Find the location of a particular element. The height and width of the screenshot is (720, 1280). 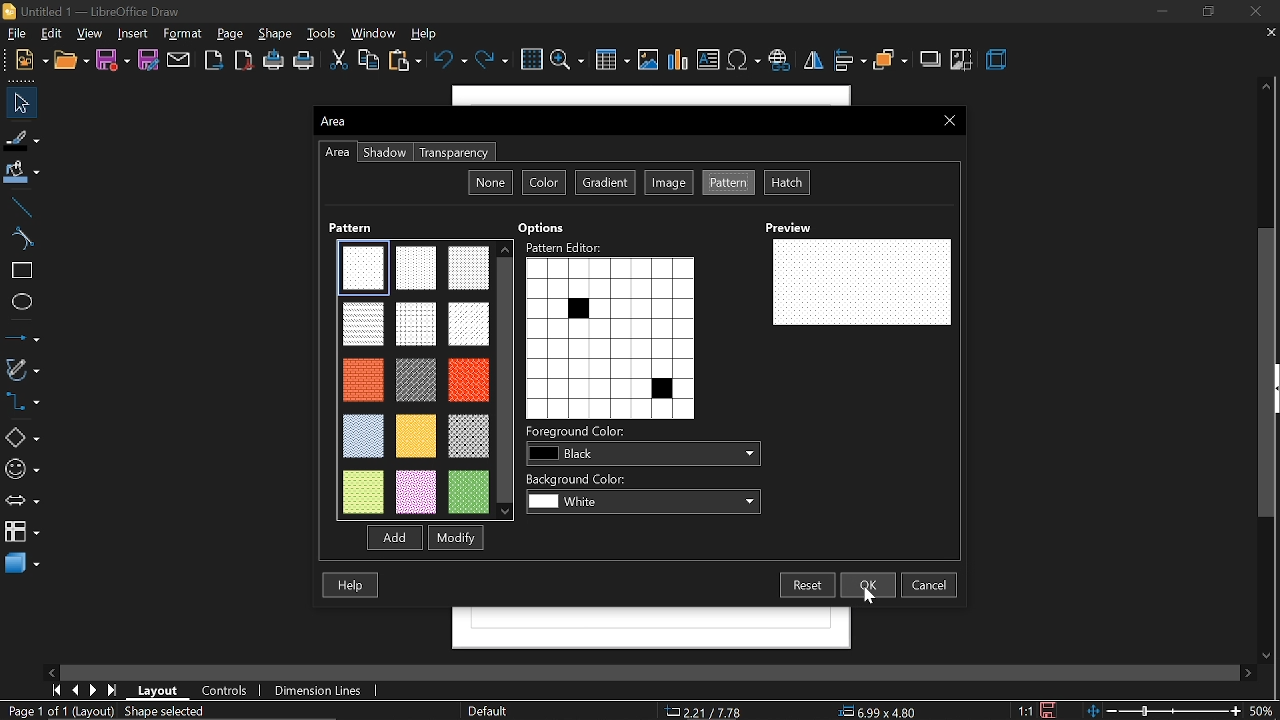

logo is located at coordinates (8, 10).